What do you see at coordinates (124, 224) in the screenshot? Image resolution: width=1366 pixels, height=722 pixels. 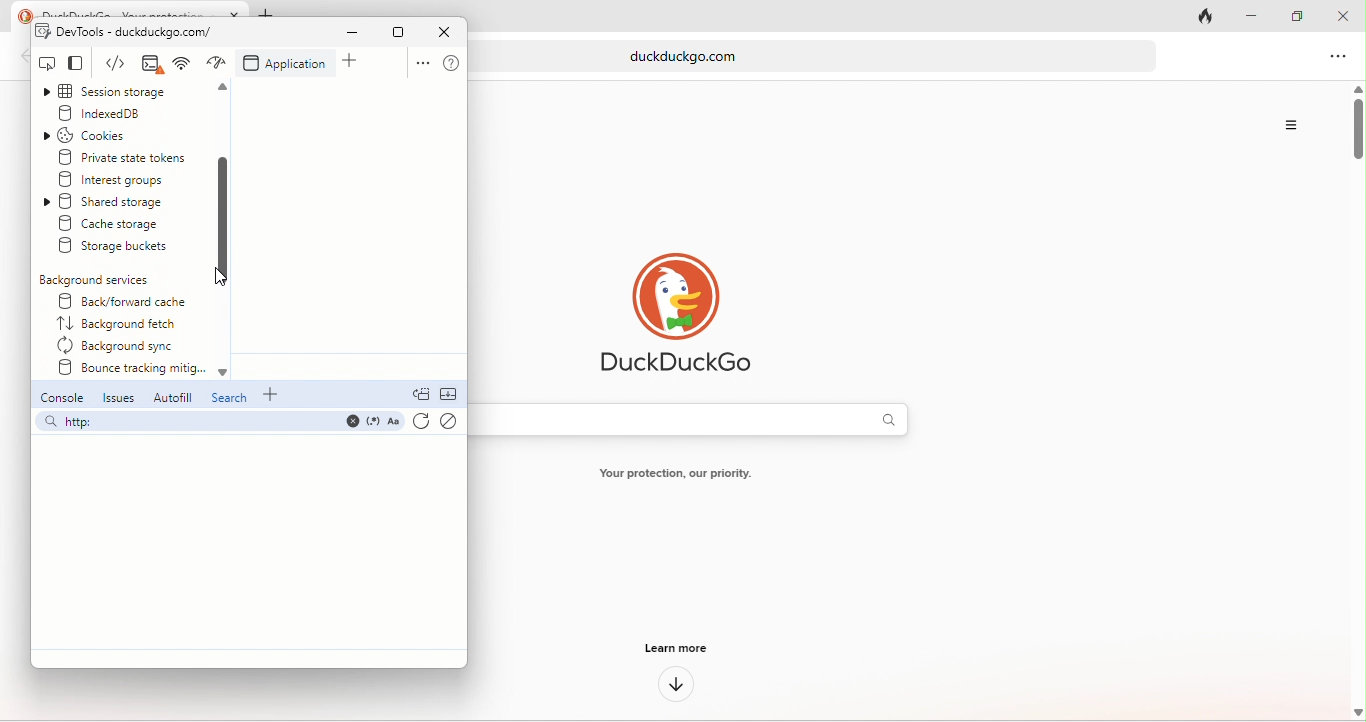 I see `create storage` at bounding box center [124, 224].